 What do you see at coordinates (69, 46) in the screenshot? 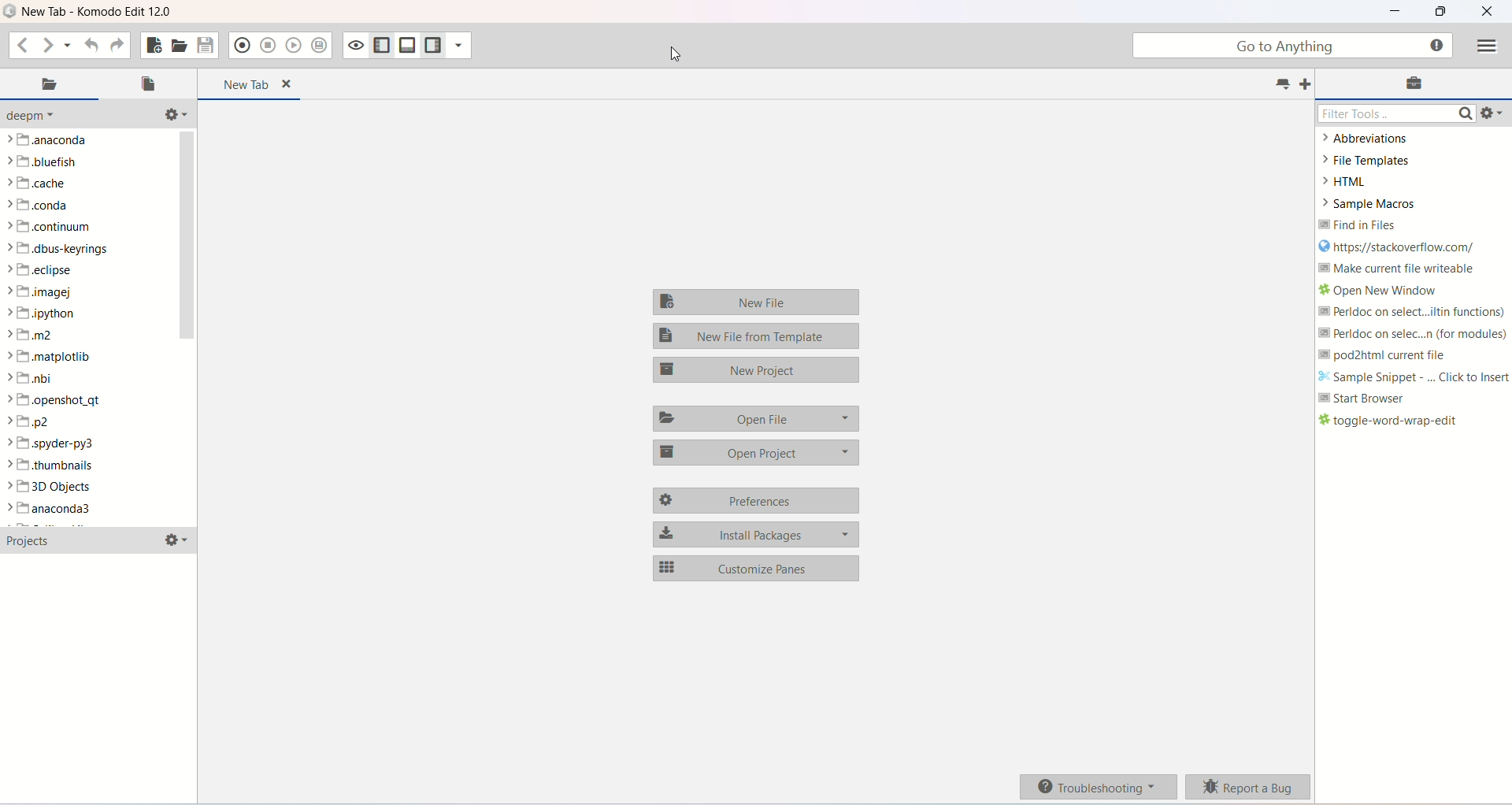
I see `recent location` at bounding box center [69, 46].